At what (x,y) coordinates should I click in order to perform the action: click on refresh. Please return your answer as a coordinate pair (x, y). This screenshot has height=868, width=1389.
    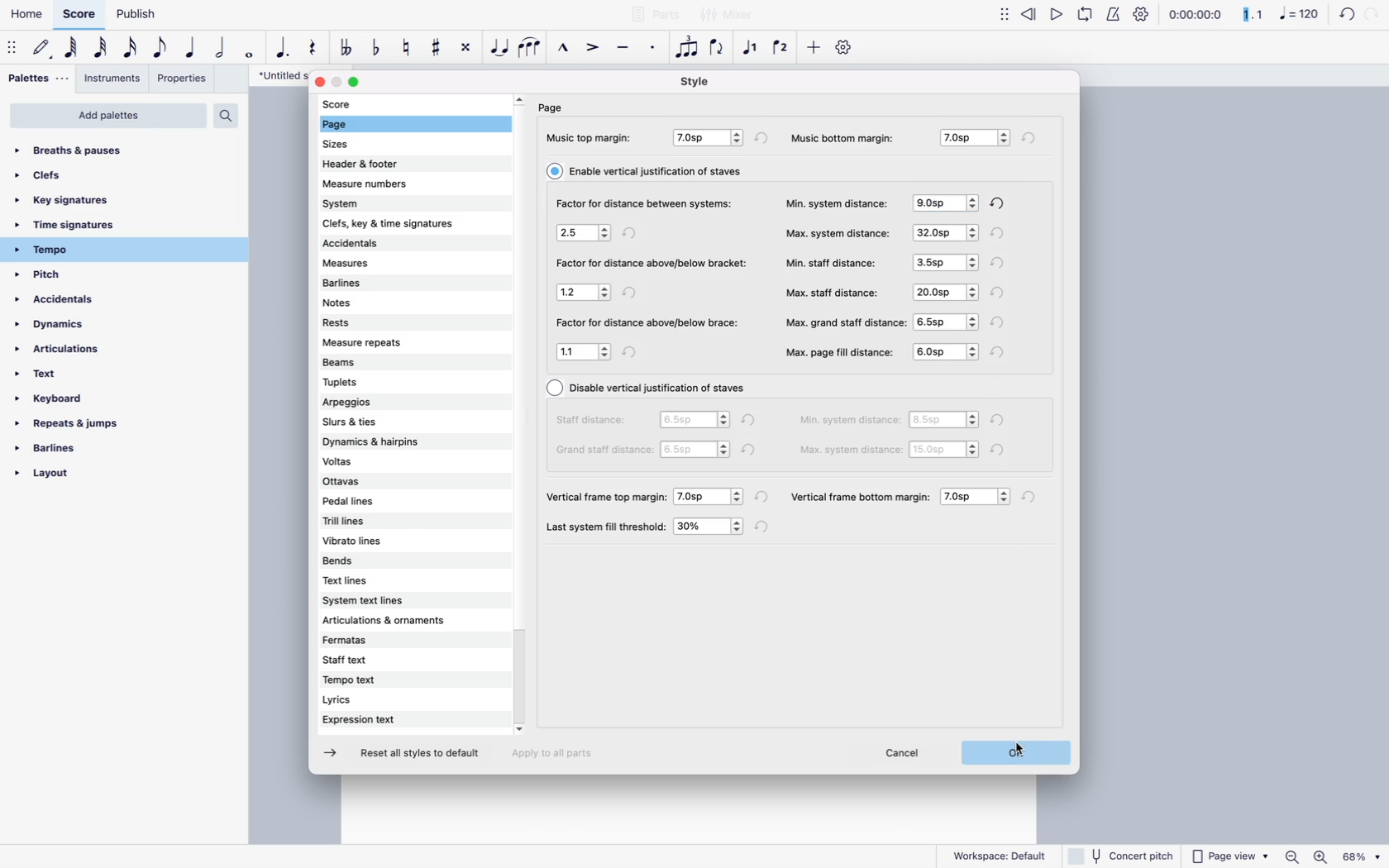
    Looking at the image, I should click on (1001, 263).